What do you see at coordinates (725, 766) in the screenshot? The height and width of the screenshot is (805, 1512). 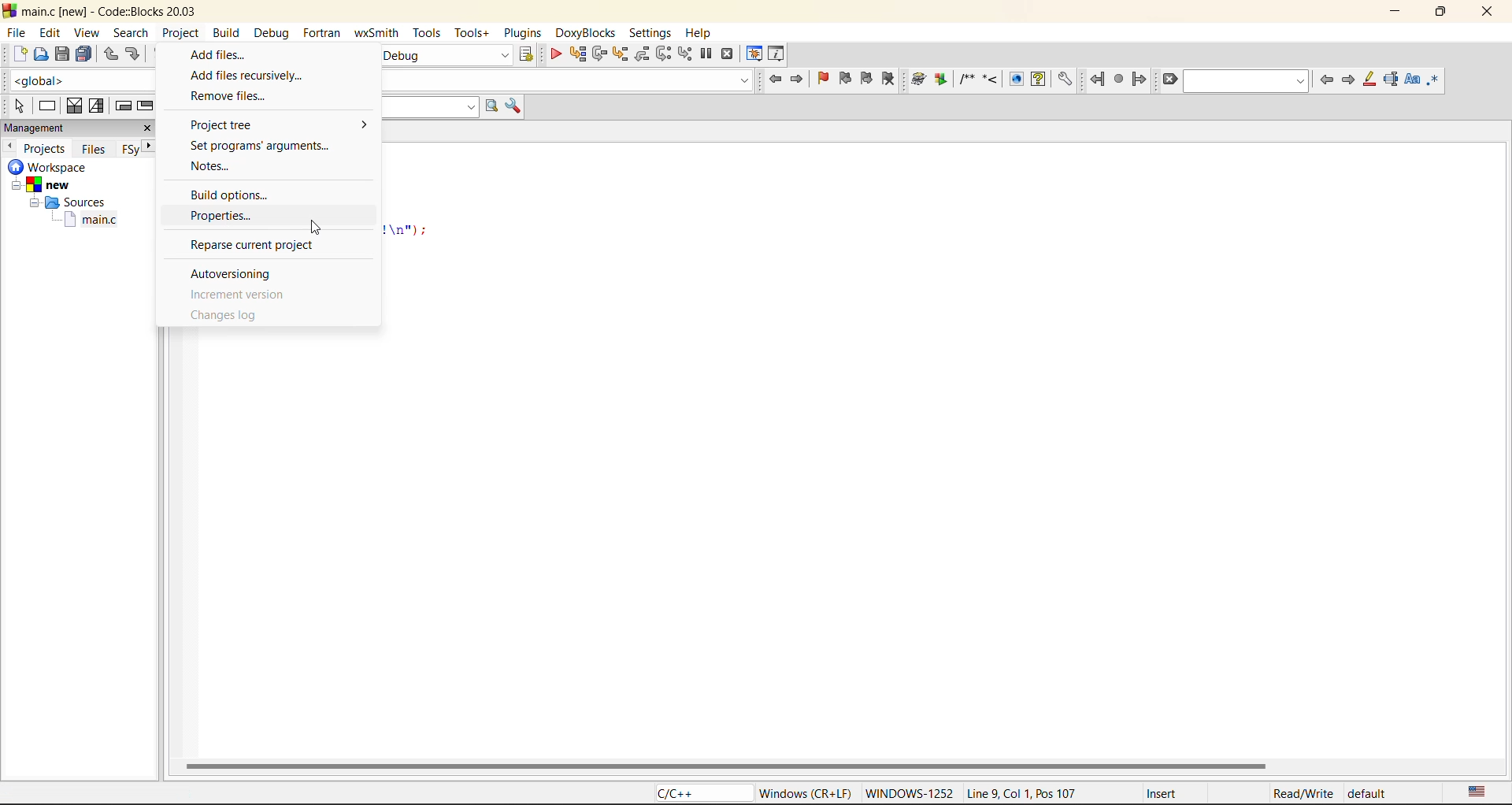 I see `horizontal scroll bar` at bounding box center [725, 766].